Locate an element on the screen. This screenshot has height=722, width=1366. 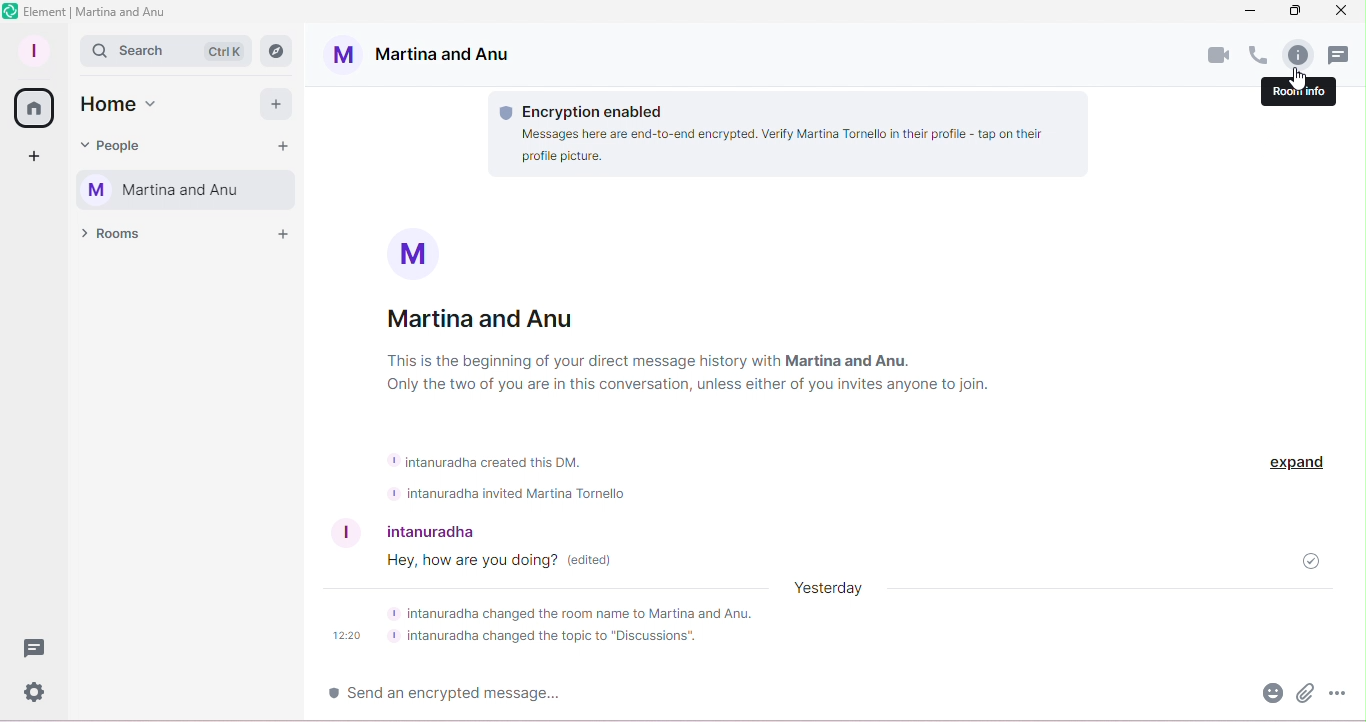
Room info is located at coordinates (1299, 56).